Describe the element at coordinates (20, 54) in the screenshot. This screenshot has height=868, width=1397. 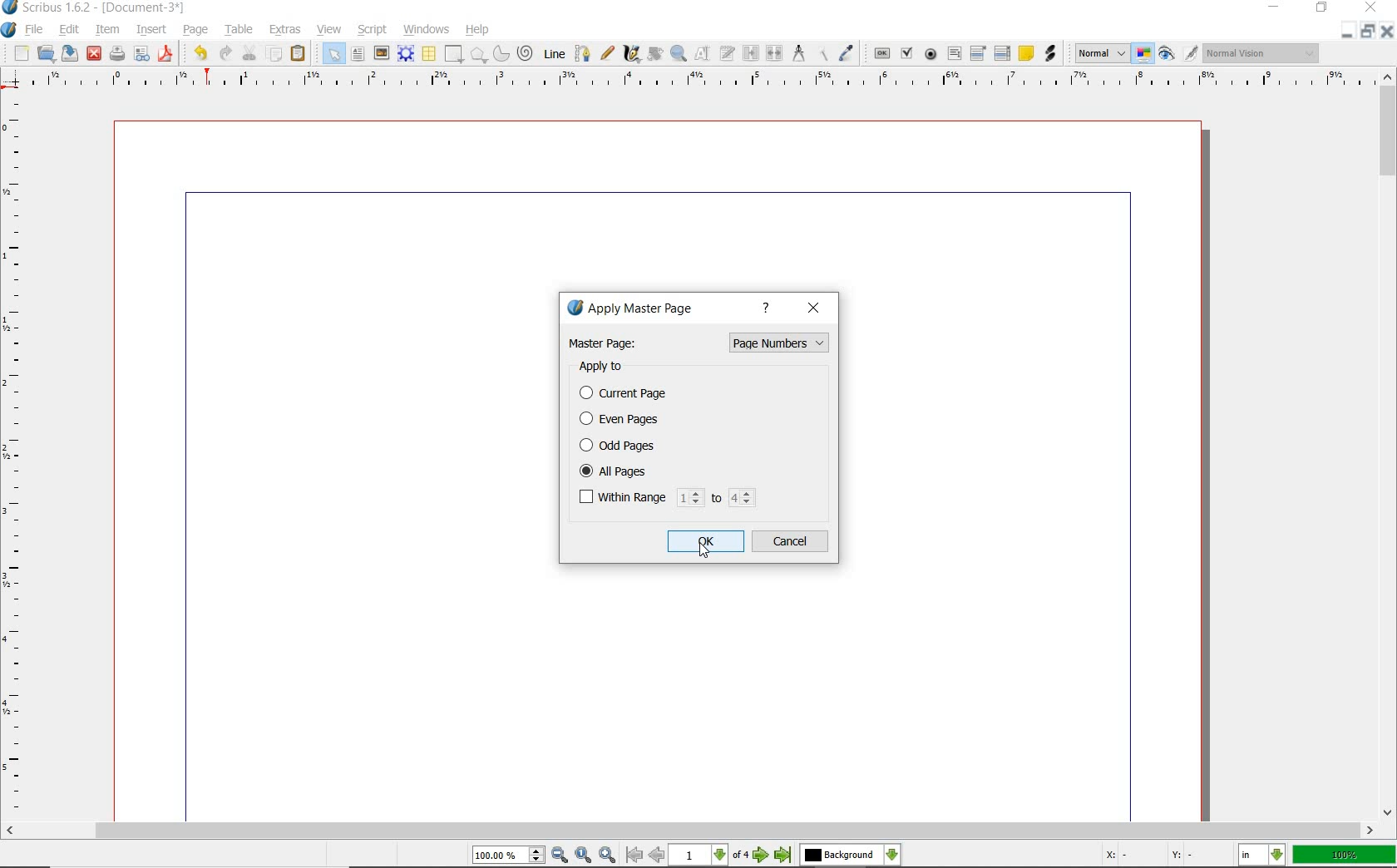
I see `new` at that location.